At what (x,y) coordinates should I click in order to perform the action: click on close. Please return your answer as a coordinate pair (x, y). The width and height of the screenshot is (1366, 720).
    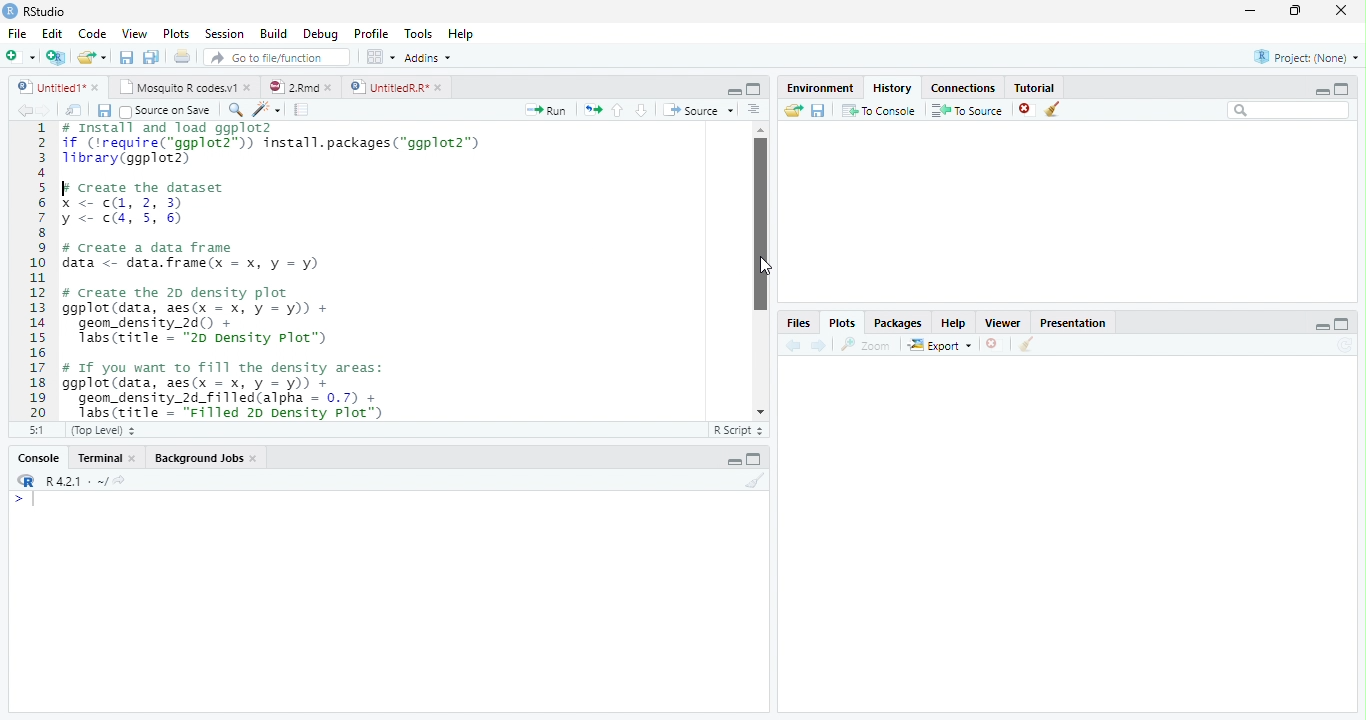
    Looking at the image, I should click on (332, 87).